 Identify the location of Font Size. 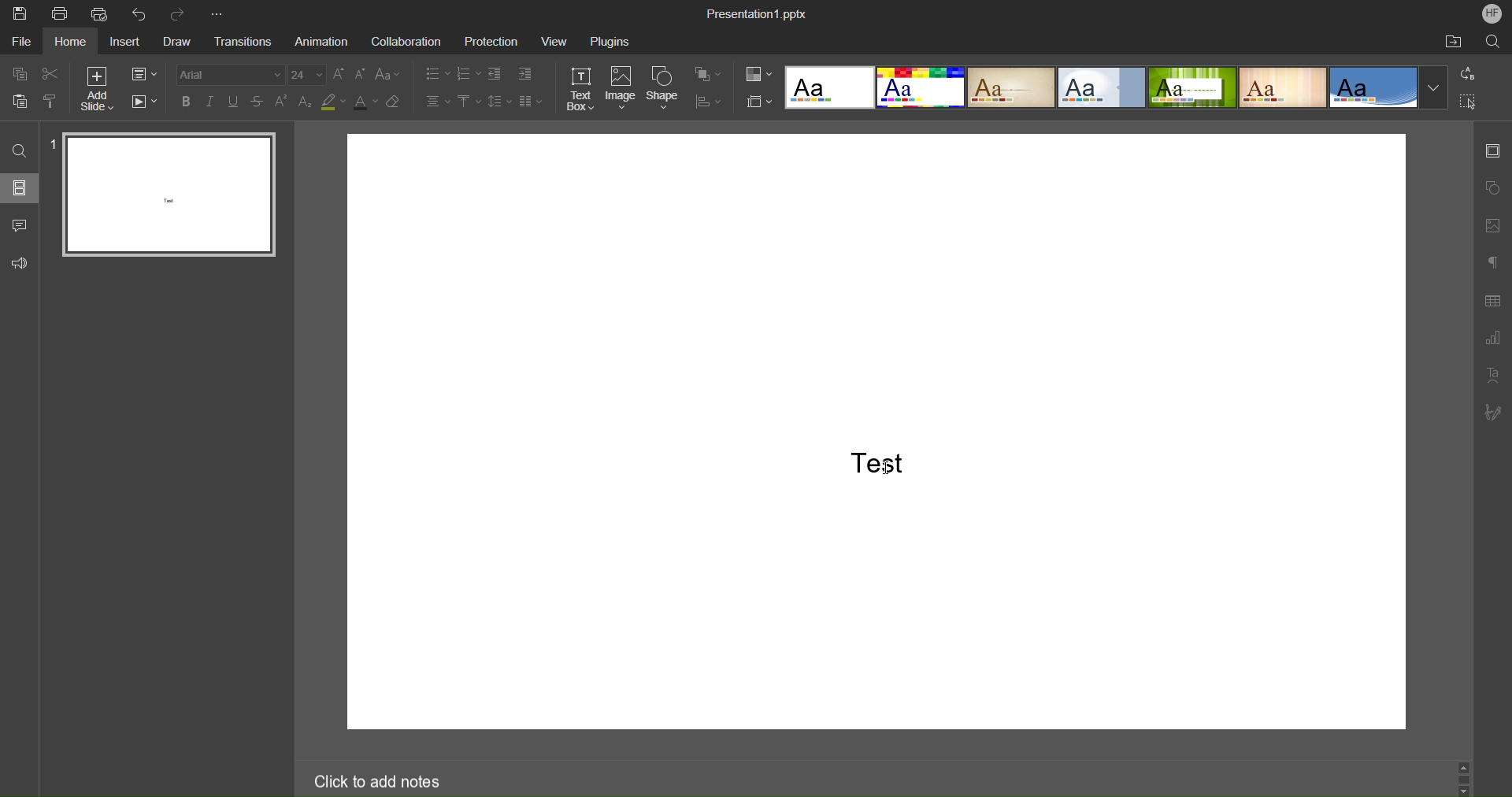
(307, 75).